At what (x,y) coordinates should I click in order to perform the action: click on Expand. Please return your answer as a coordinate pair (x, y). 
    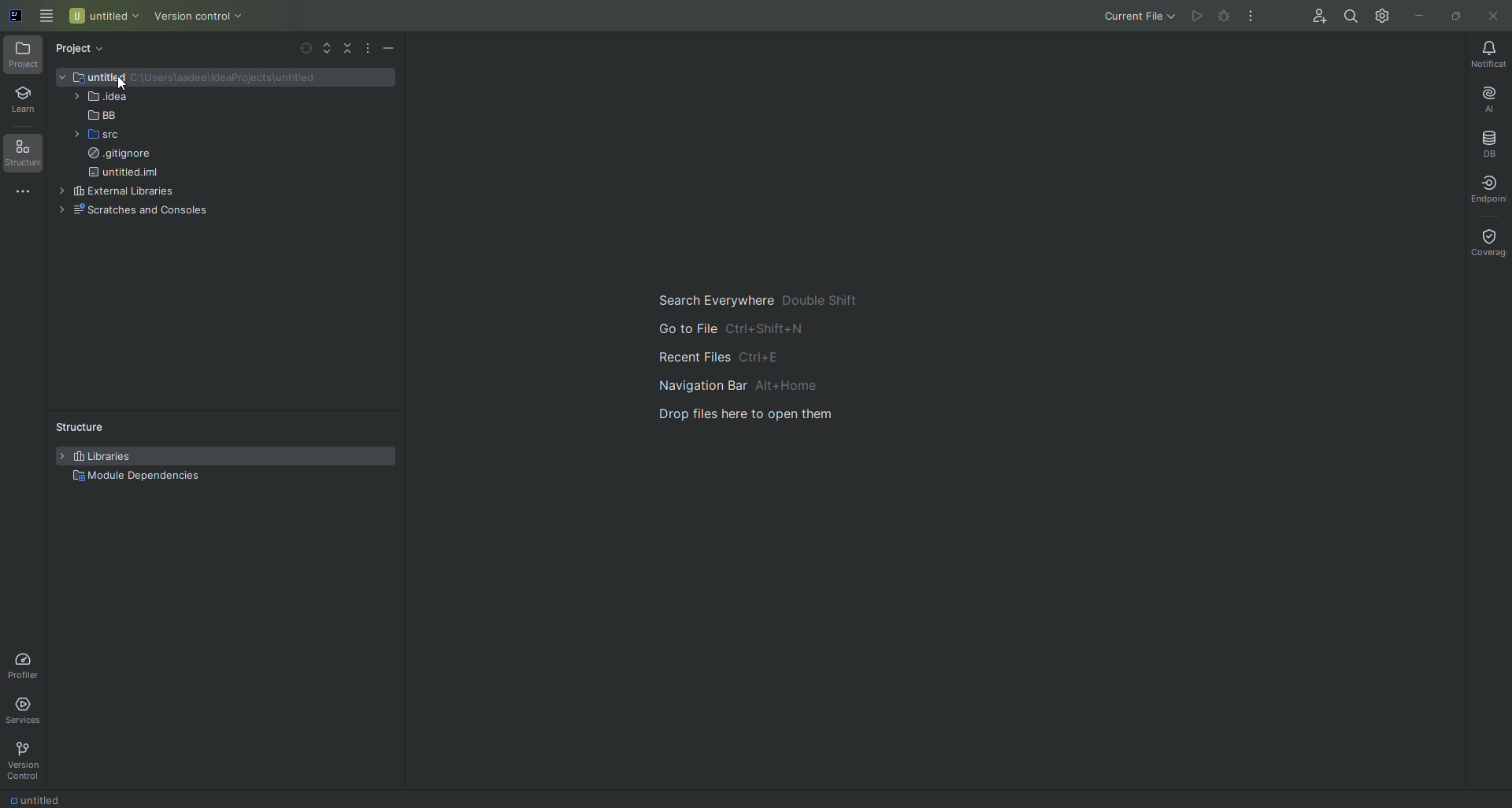
    Looking at the image, I should click on (326, 47).